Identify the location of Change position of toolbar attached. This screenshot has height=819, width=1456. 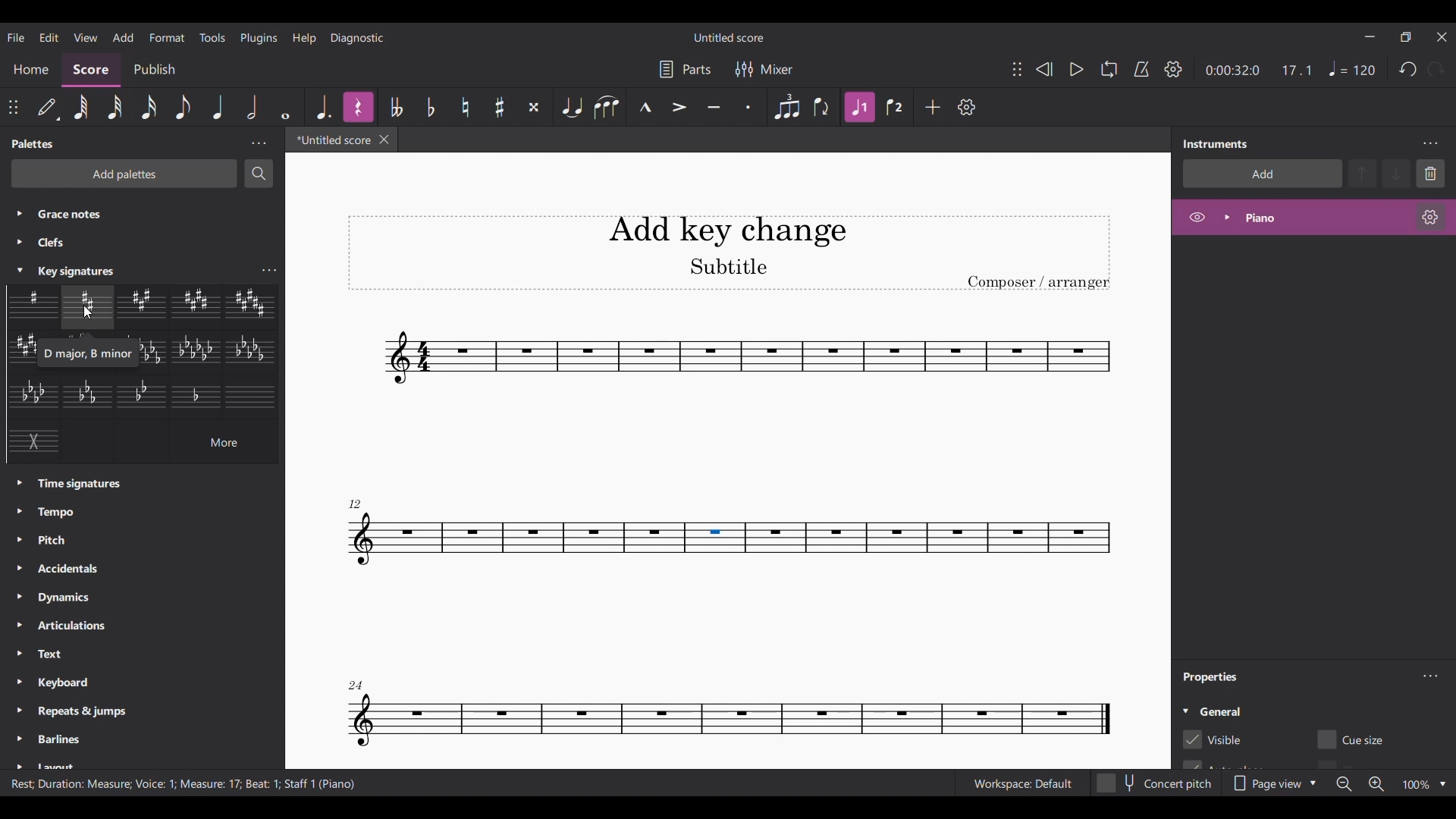
(1017, 69).